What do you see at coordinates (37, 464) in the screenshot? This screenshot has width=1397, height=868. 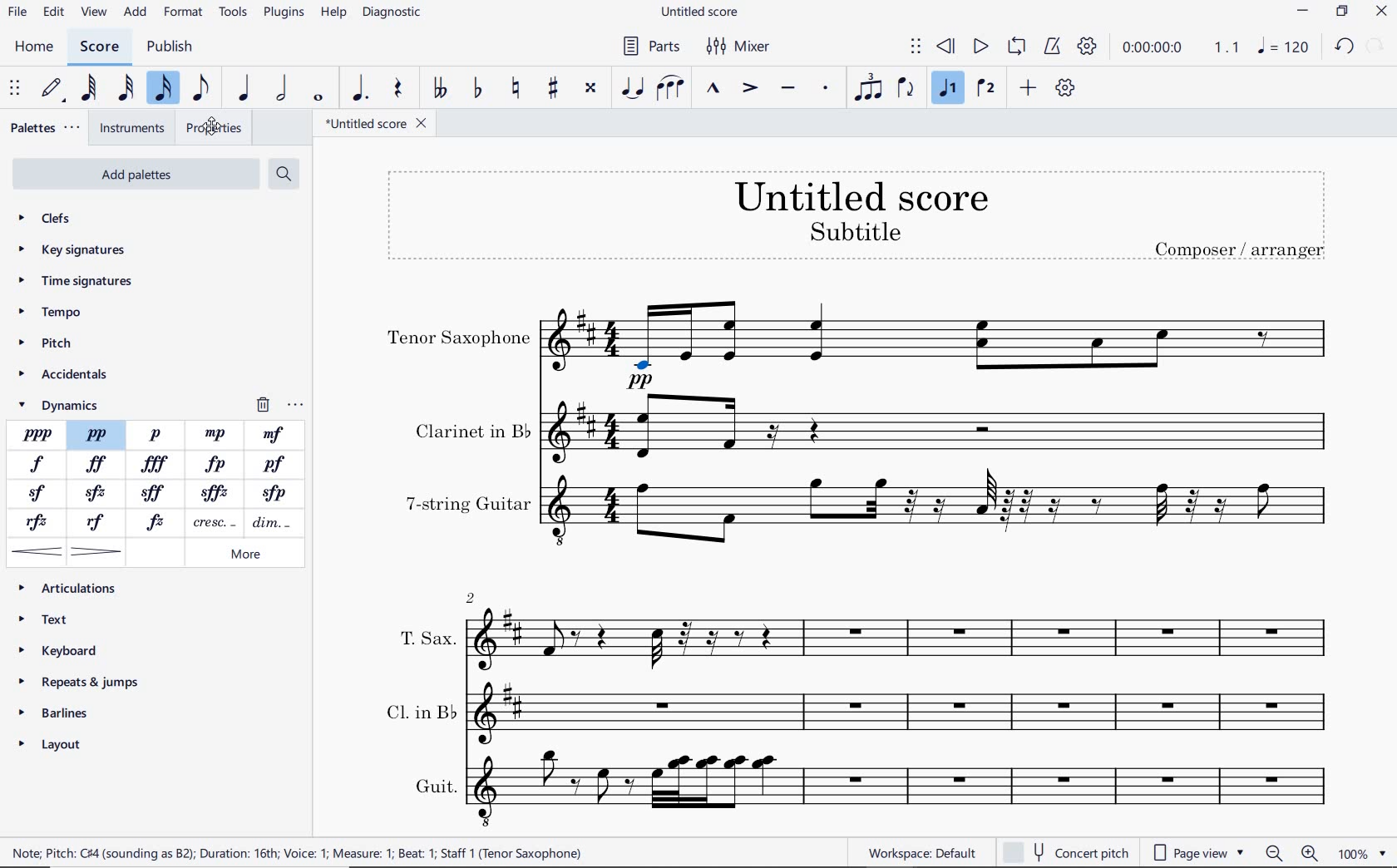 I see `F(FORTE)` at bounding box center [37, 464].